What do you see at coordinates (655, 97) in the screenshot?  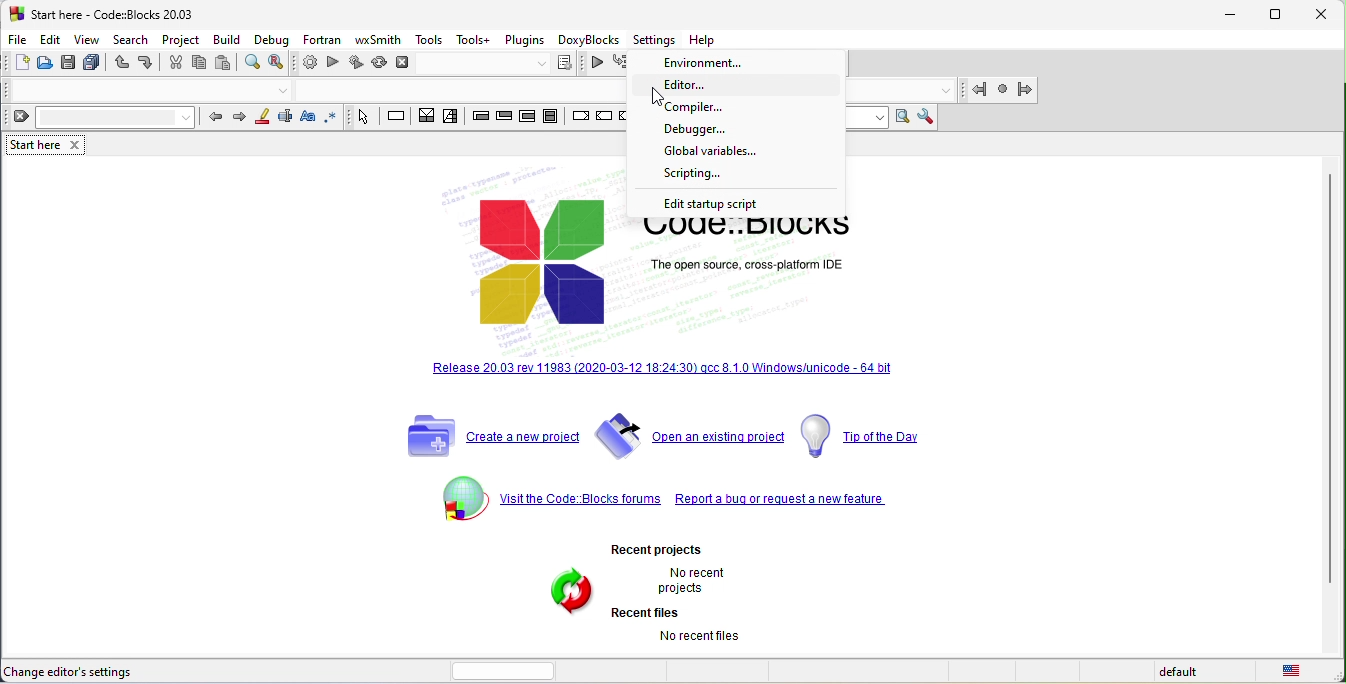 I see `cursor movement` at bounding box center [655, 97].